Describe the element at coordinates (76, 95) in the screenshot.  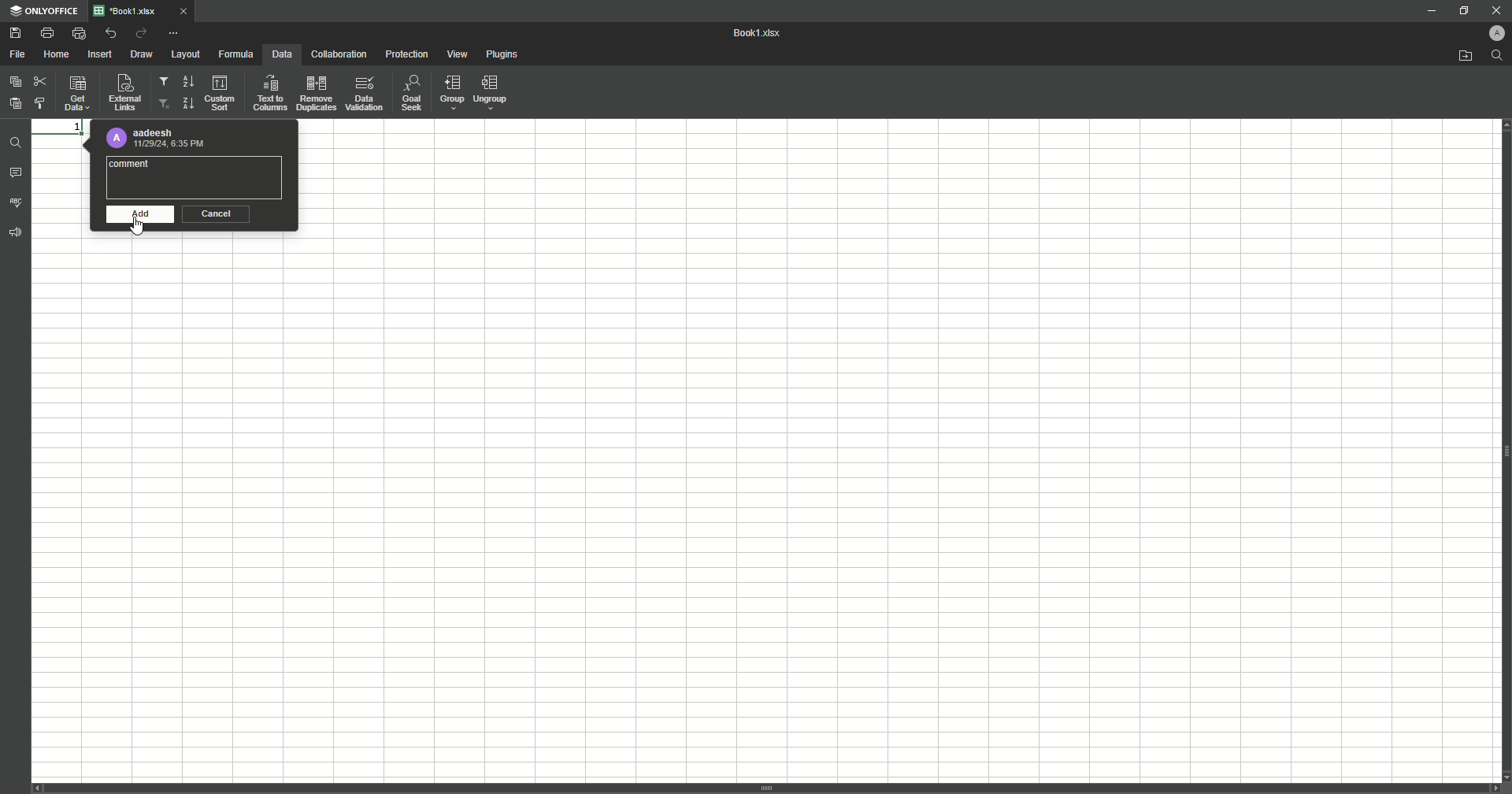
I see `Get Data` at that location.